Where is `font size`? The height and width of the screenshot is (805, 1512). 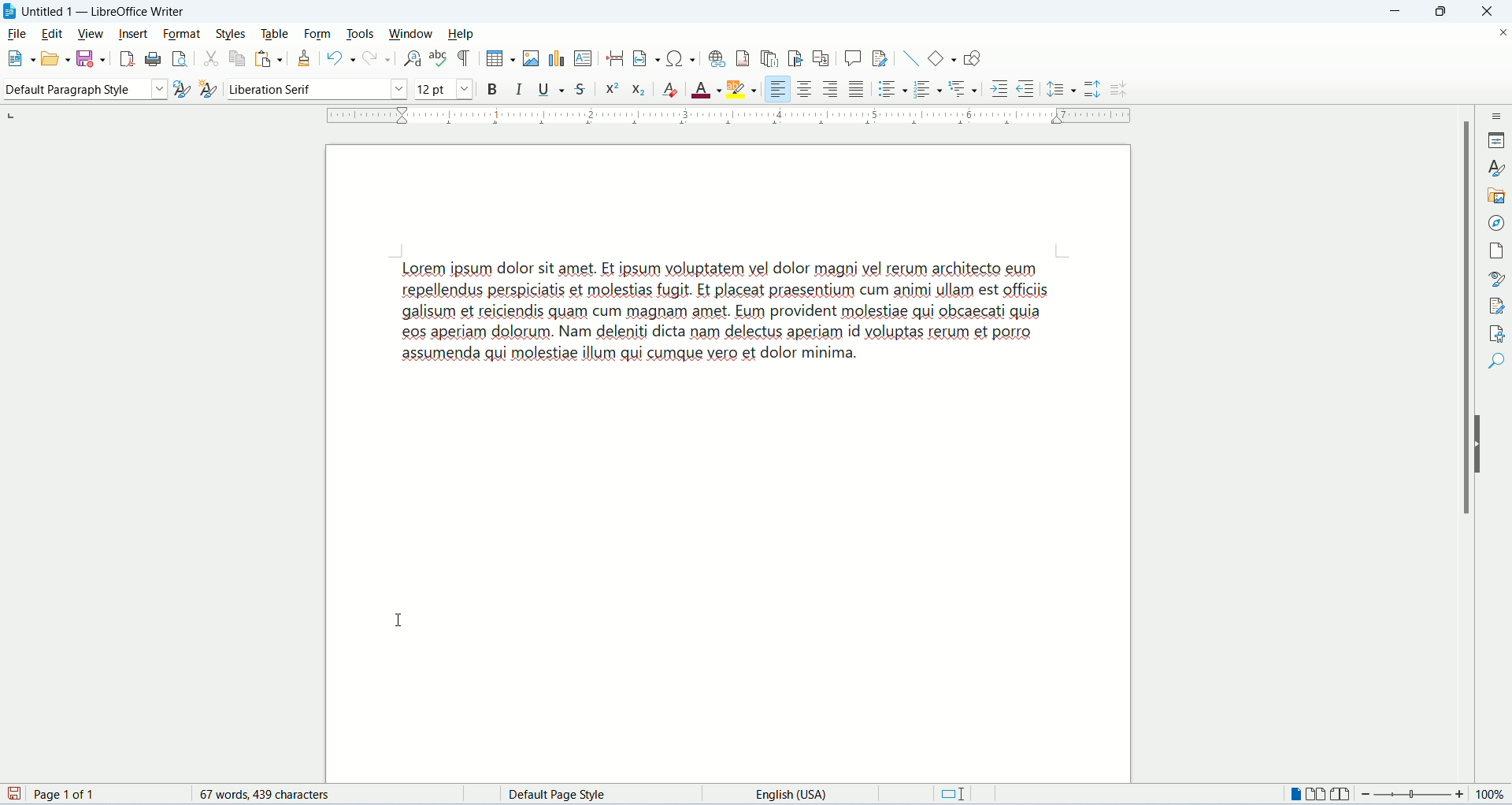
font size is located at coordinates (442, 89).